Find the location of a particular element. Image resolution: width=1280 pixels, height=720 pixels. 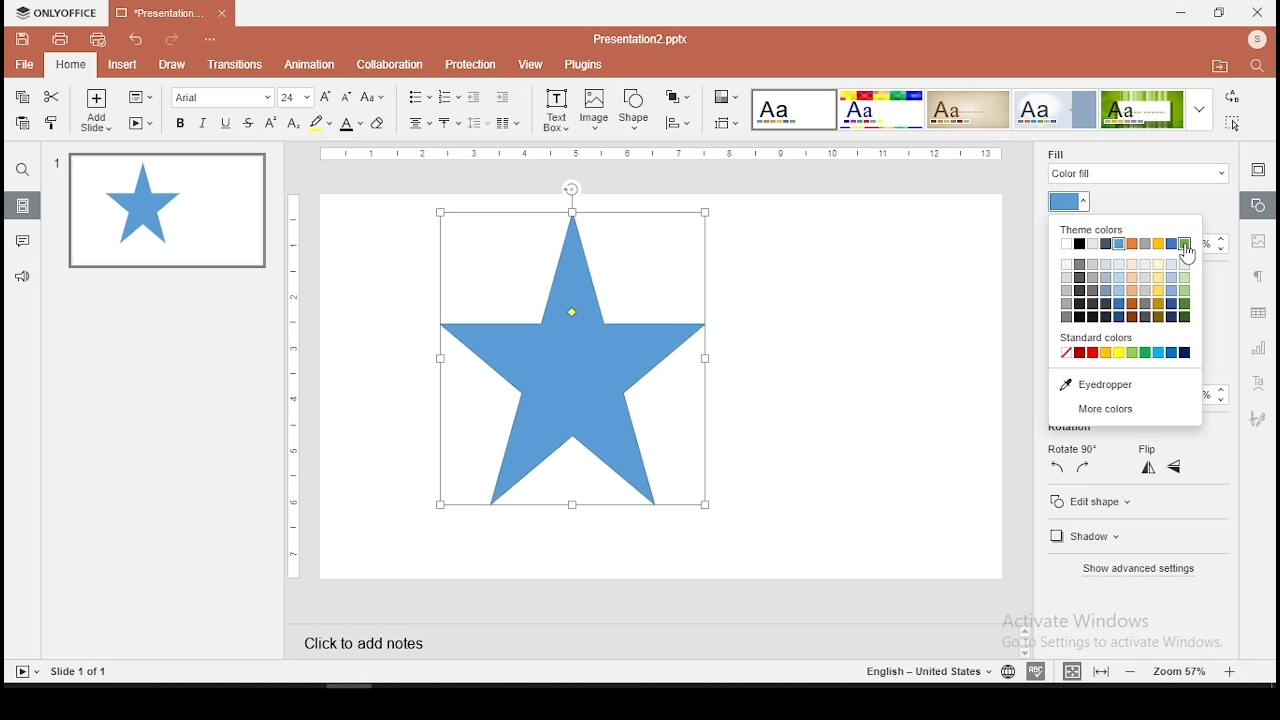

find is located at coordinates (1261, 68).